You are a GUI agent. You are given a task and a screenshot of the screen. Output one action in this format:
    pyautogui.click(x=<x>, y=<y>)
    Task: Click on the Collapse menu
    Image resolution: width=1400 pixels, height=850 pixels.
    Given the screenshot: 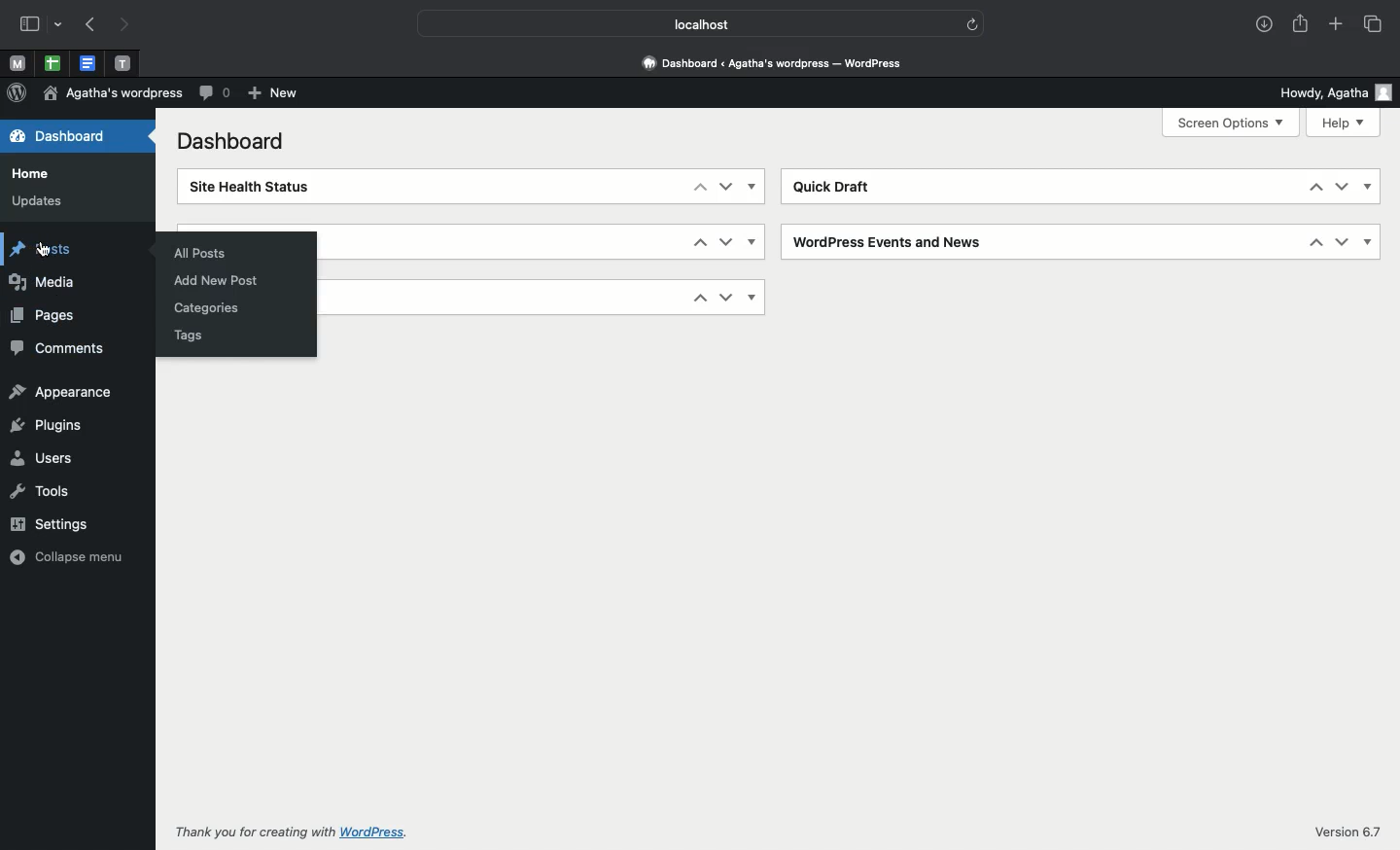 What is the action you would take?
    pyautogui.click(x=69, y=555)
    